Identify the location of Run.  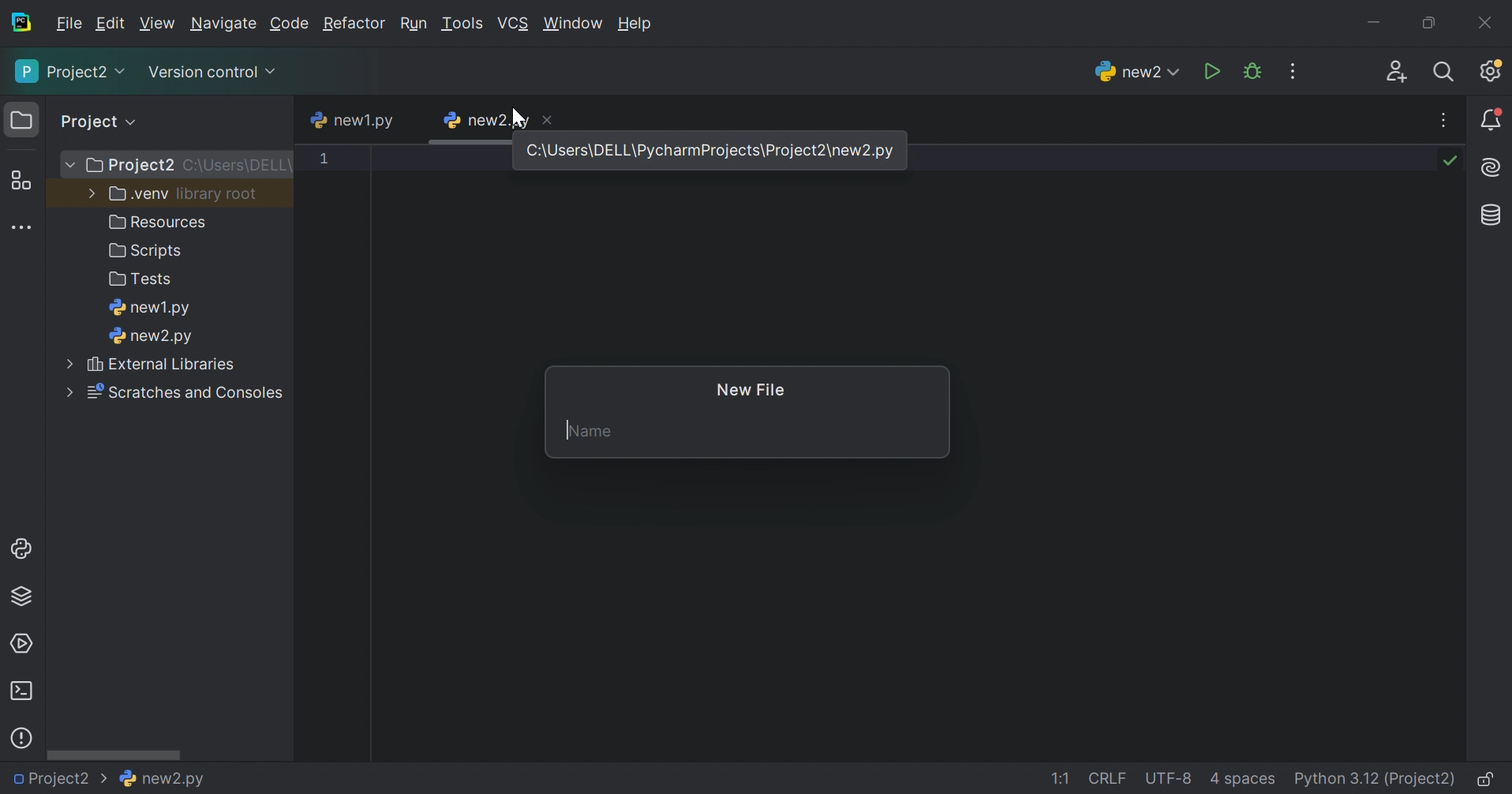
(1211, 70).